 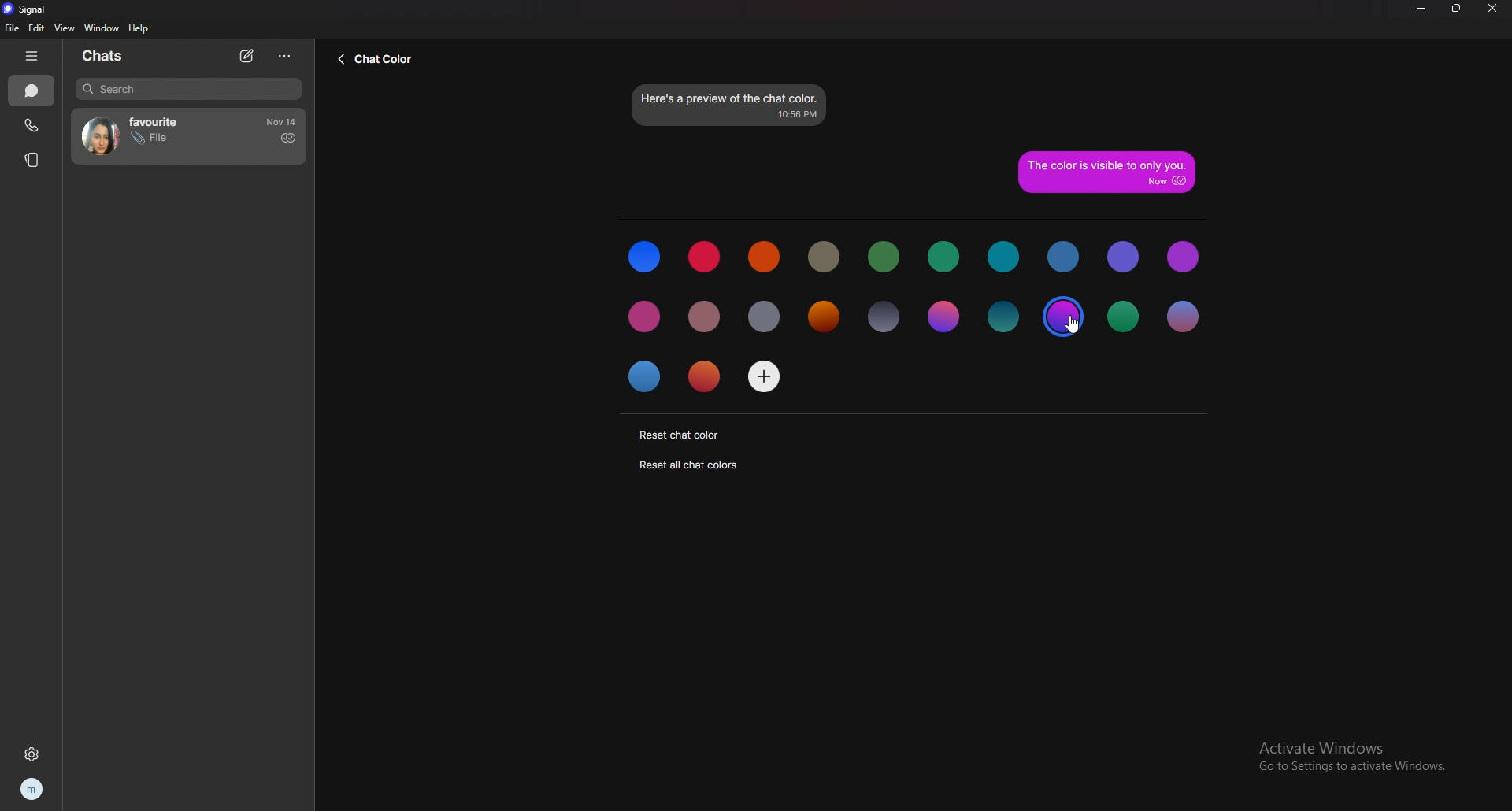 What do you see at coordinates (249, 55) in the screenshot?
I see `new chat` at bounding box center [249, 55].